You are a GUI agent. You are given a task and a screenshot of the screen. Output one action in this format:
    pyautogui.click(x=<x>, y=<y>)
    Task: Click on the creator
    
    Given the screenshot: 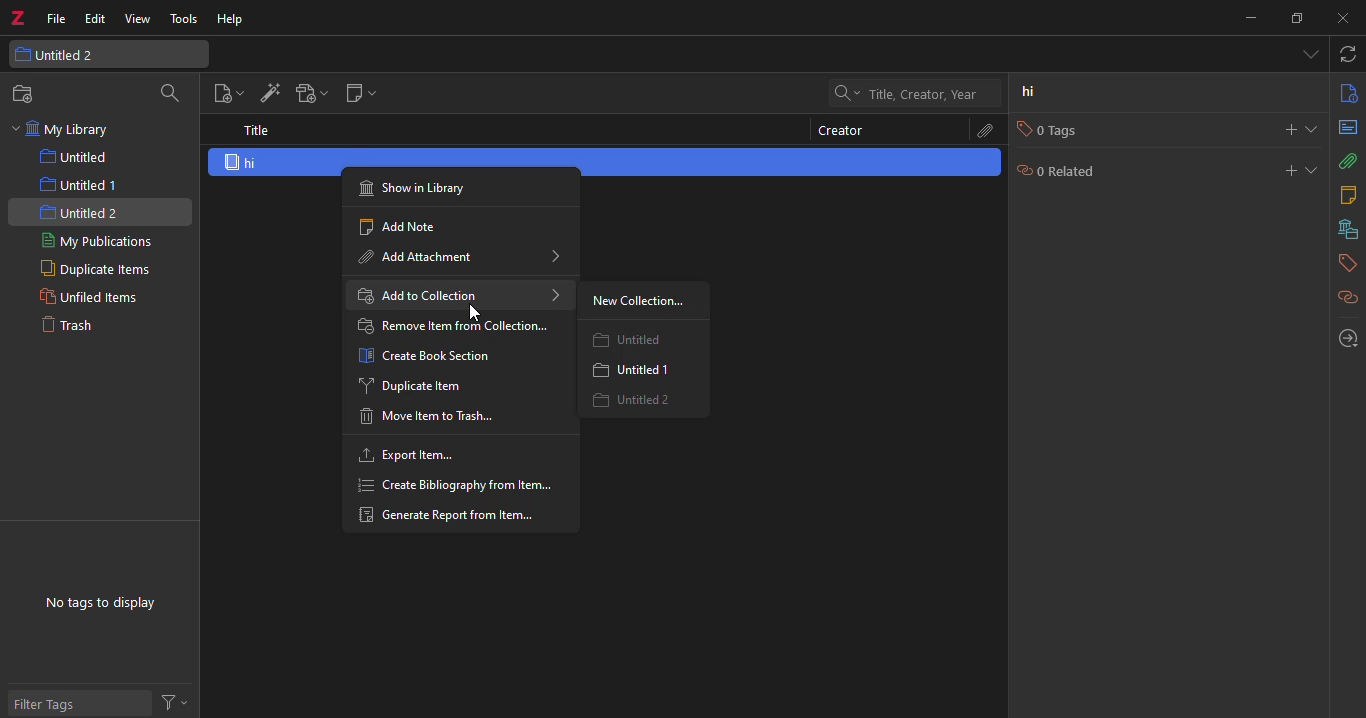 What is the action you would take?
    pyautogui.click(x=844, y=133)
    